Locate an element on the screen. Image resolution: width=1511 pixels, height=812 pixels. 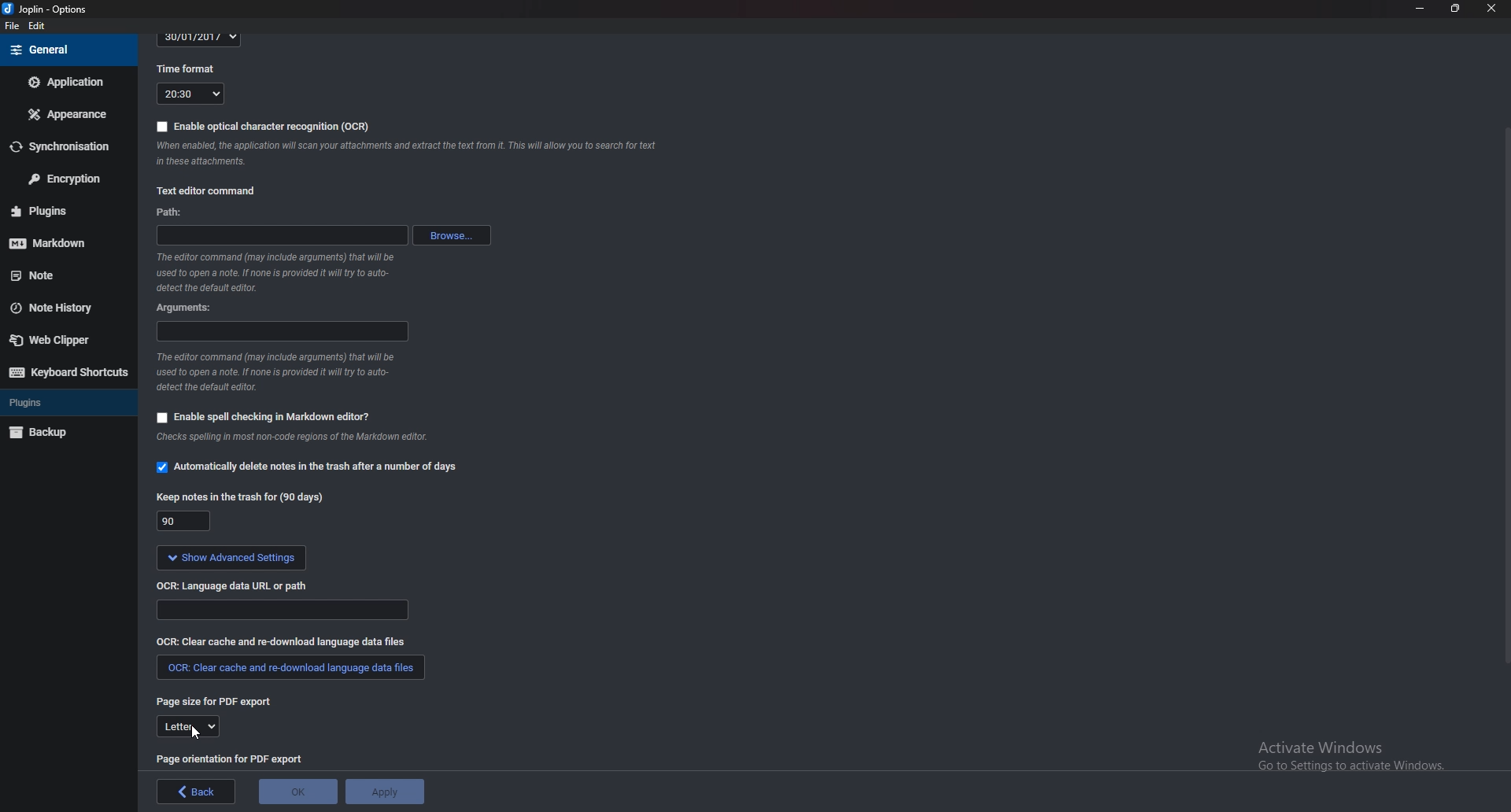
Text editor command is located at coordinates (217, 188).